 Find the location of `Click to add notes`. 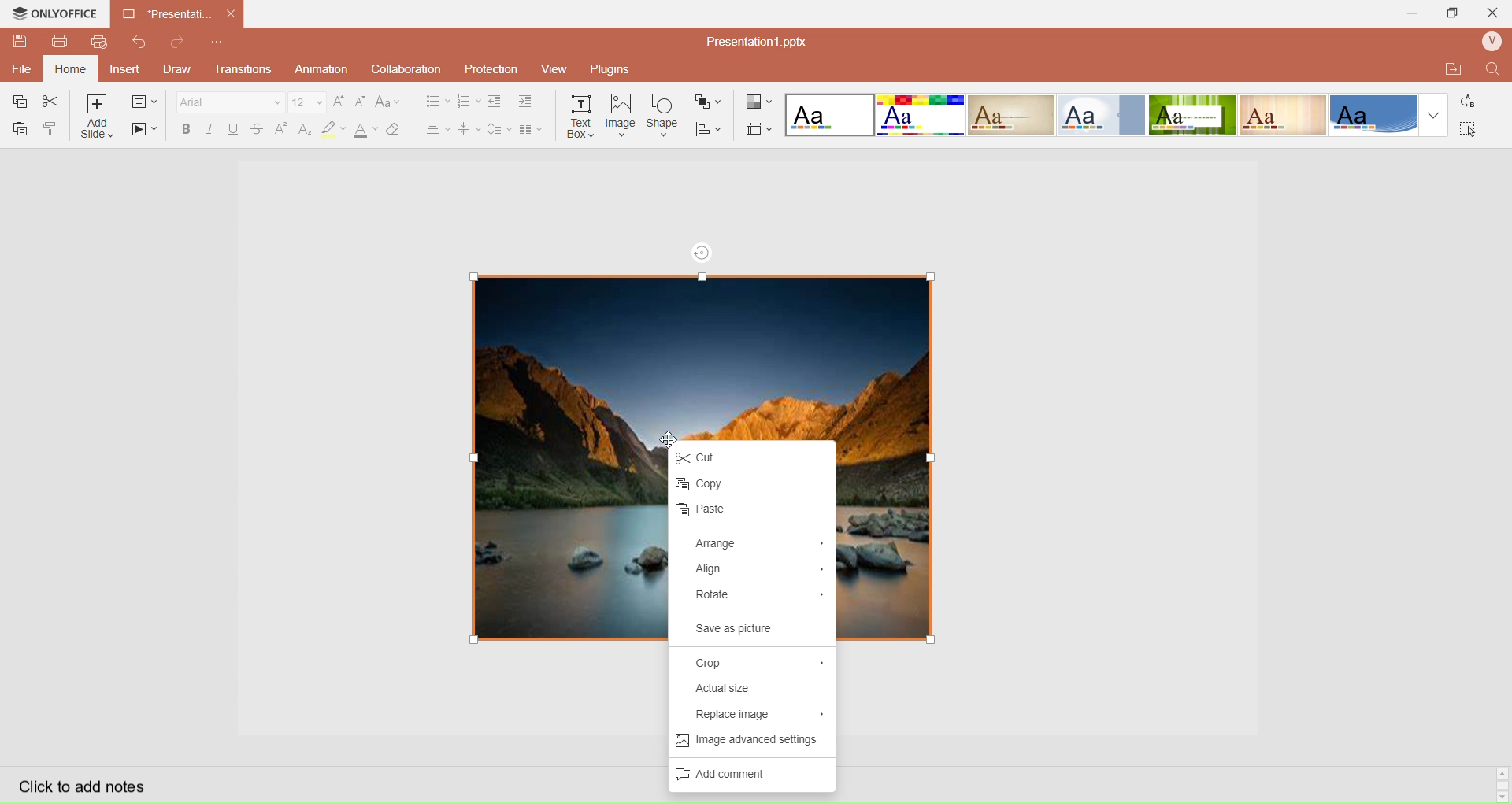

Click to add notes is located at coordinates (78, 786).